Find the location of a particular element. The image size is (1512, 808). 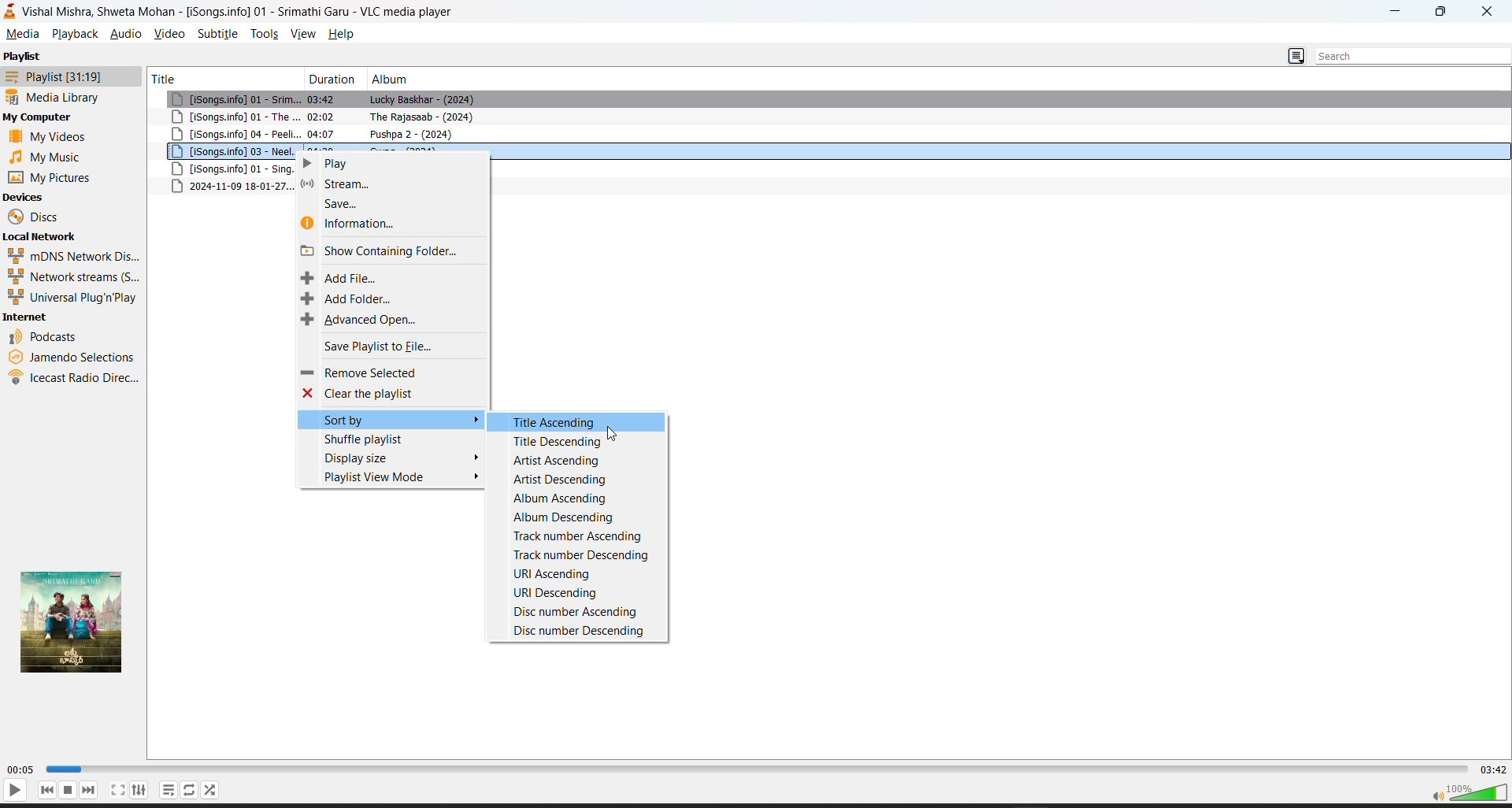

track number descending is located at coordinates (577, 554).